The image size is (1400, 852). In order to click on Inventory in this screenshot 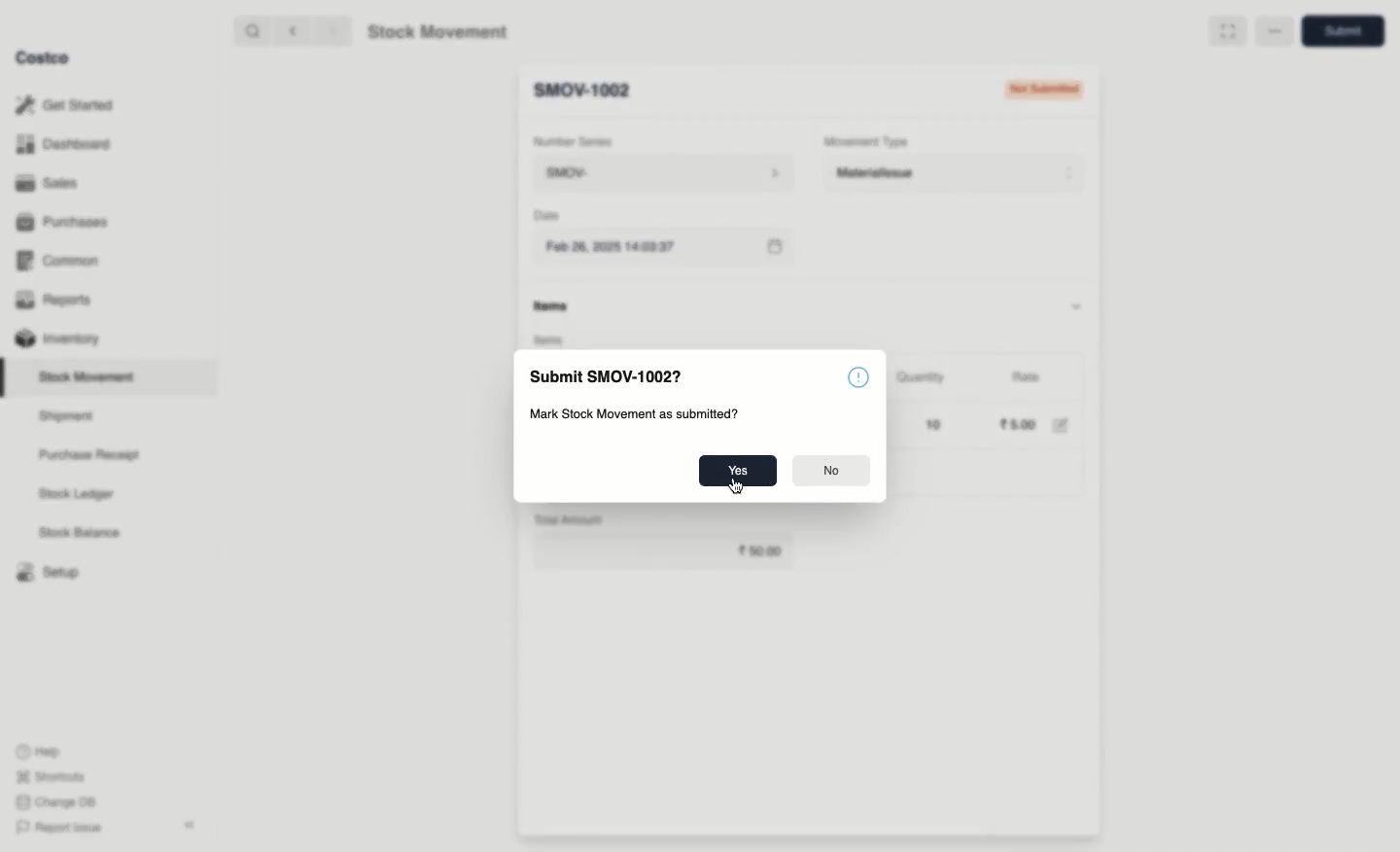, I will do `click(60, 339)`.